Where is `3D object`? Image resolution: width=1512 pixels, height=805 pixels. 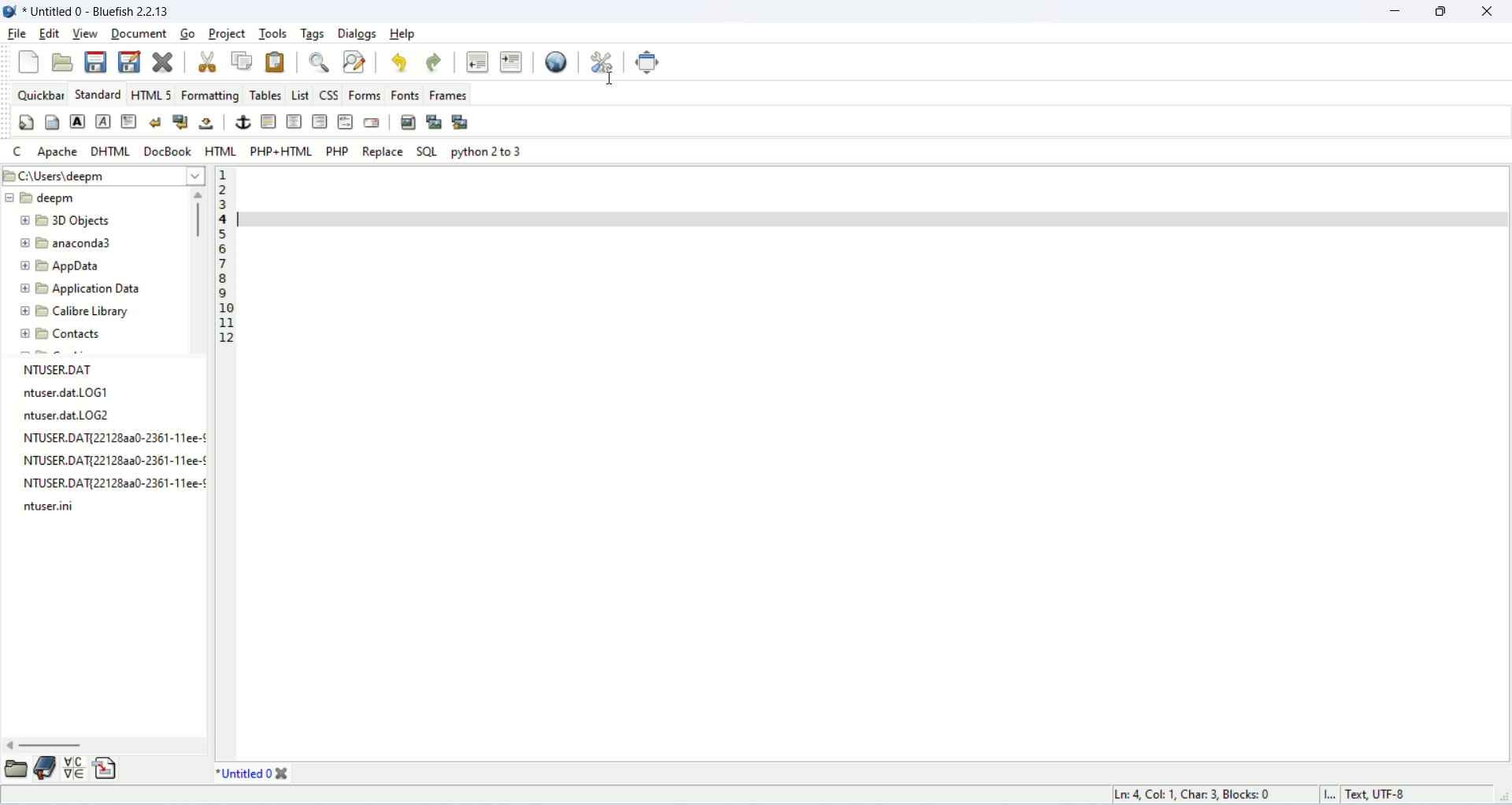
3D object is located at coordinates (65, 220).